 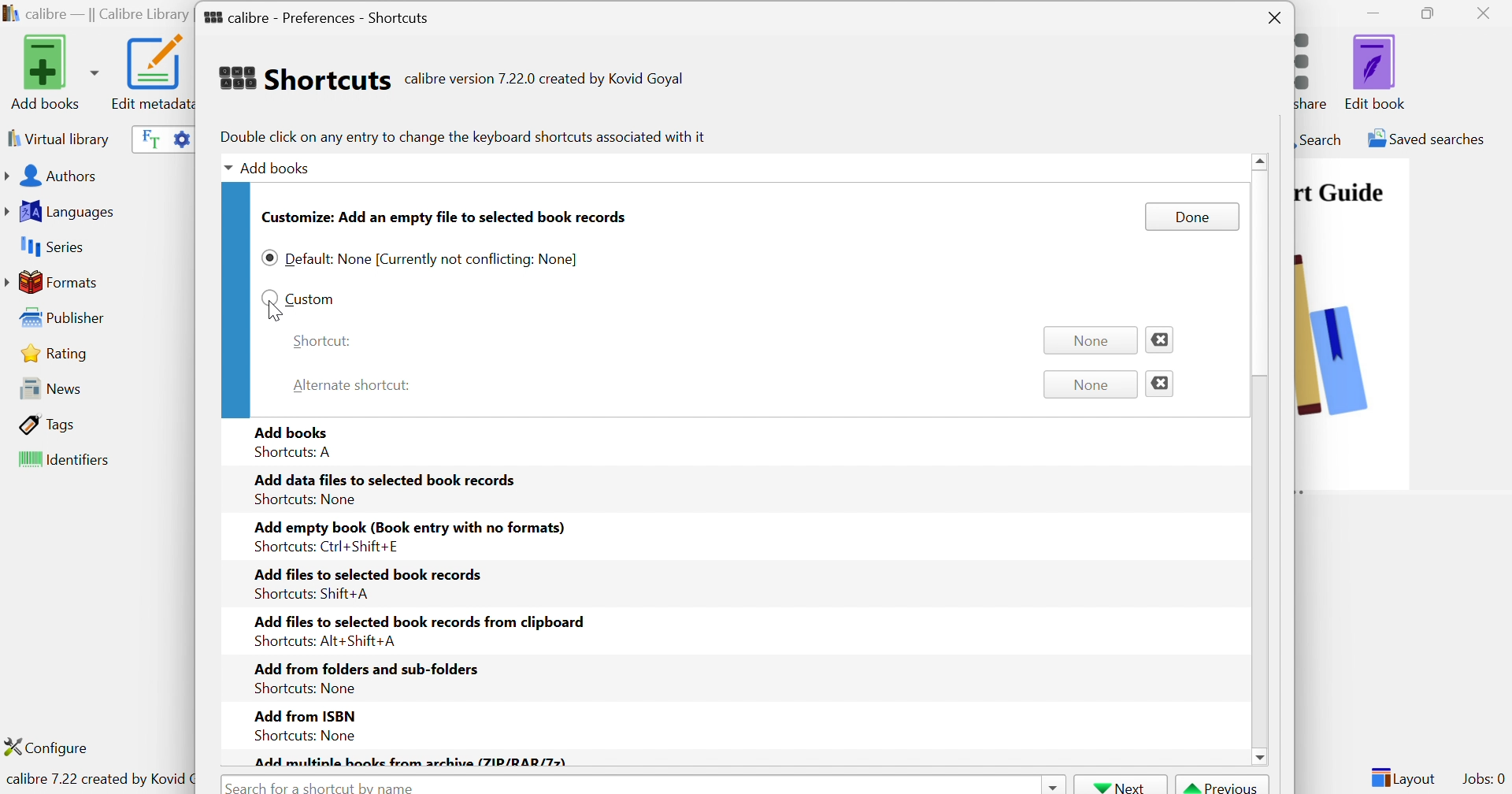 I want to click on Series, so click(x=50, y=247).